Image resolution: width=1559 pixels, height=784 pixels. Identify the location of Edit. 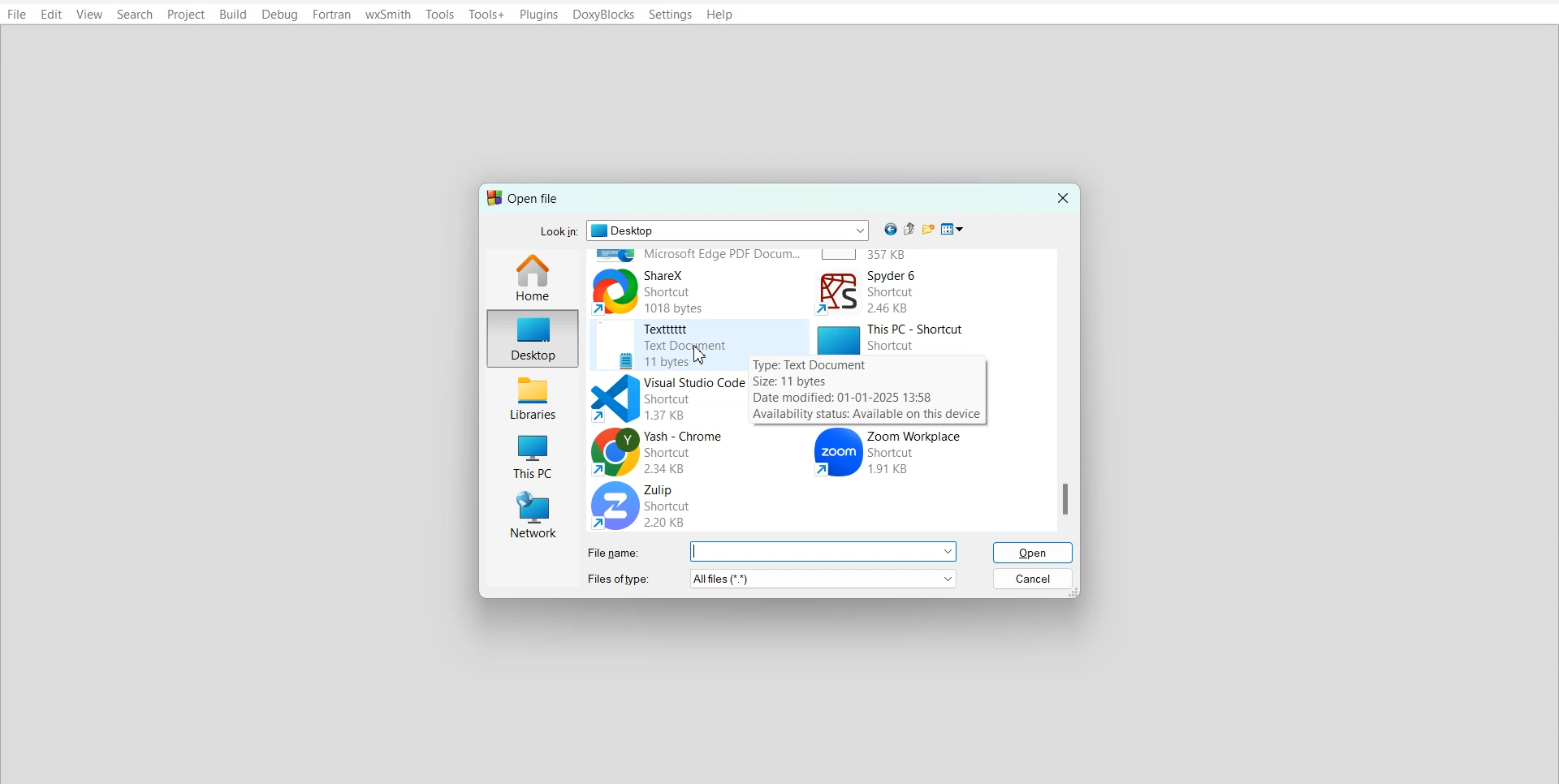
(51, 14).